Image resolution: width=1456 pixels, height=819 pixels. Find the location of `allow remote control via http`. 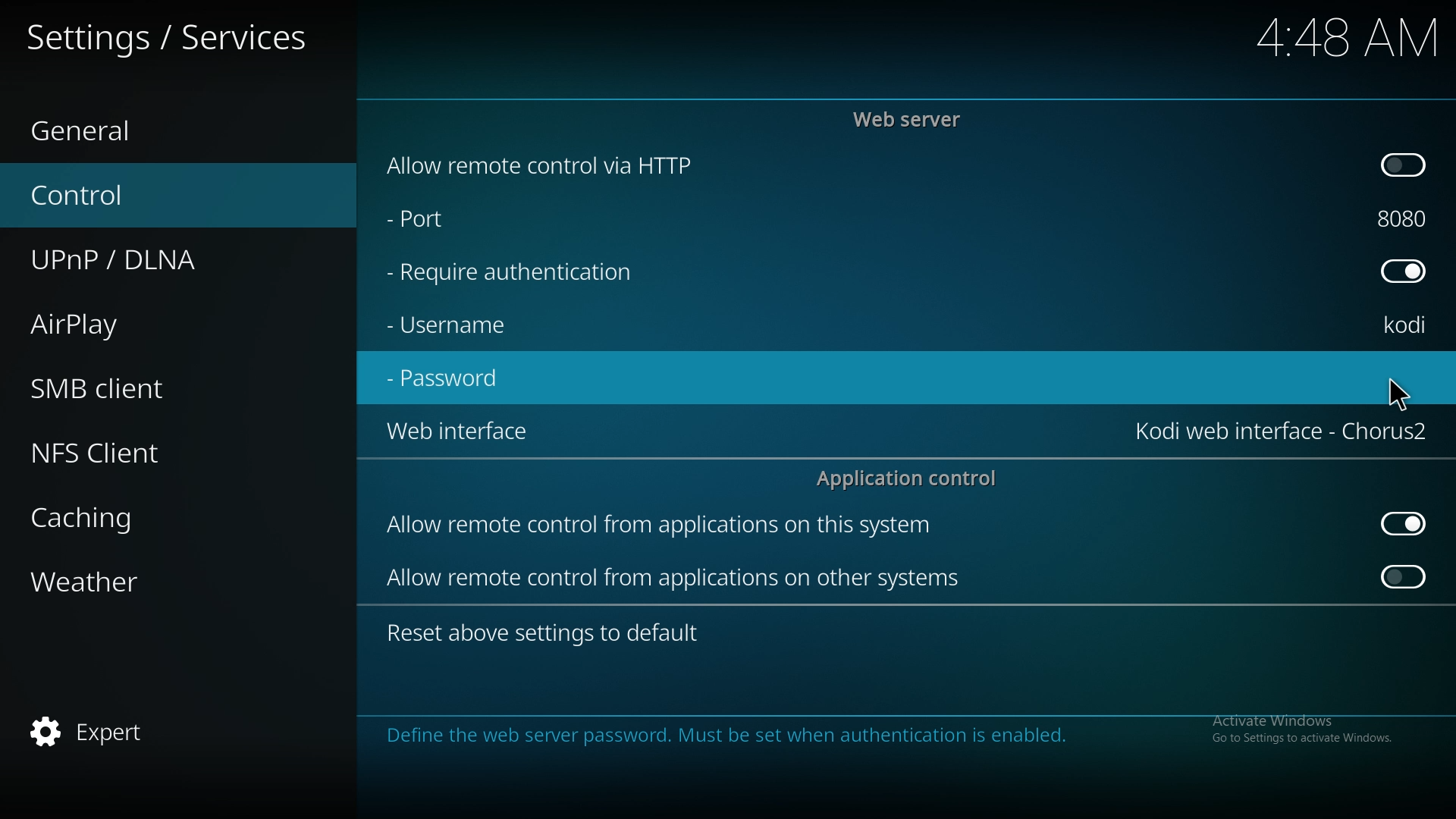

allow remote control via http is located at coordinates (579, 165).